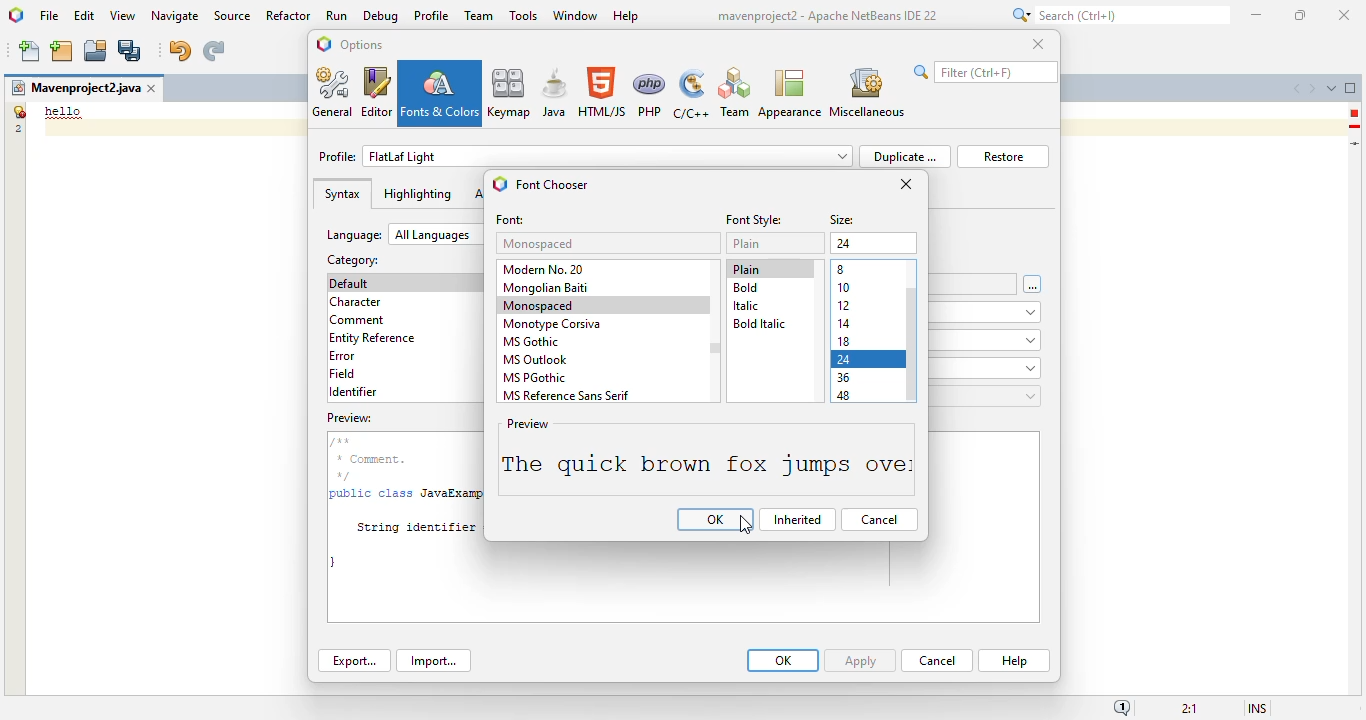 The width and height of the screenshot is (1366, 720). What do you see at coordinates (708, 464) in the screenshot?
I see `font size changed to 24` at bounding box center [708, 464].